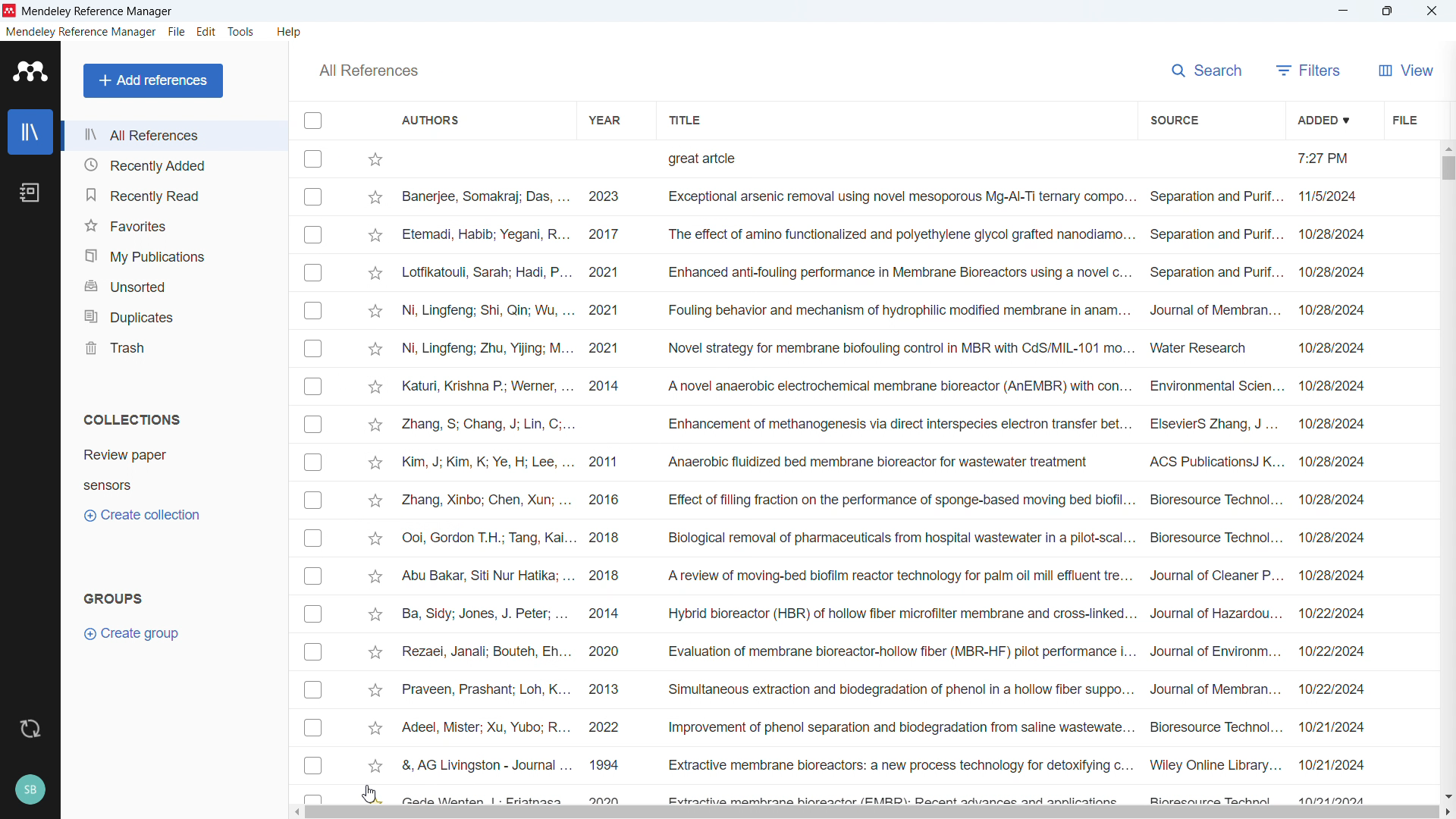 The image size is (1456, 819). Describe the element at coordinates (176, 485) in the screenshot. I see `Collection 2 ` at that location.